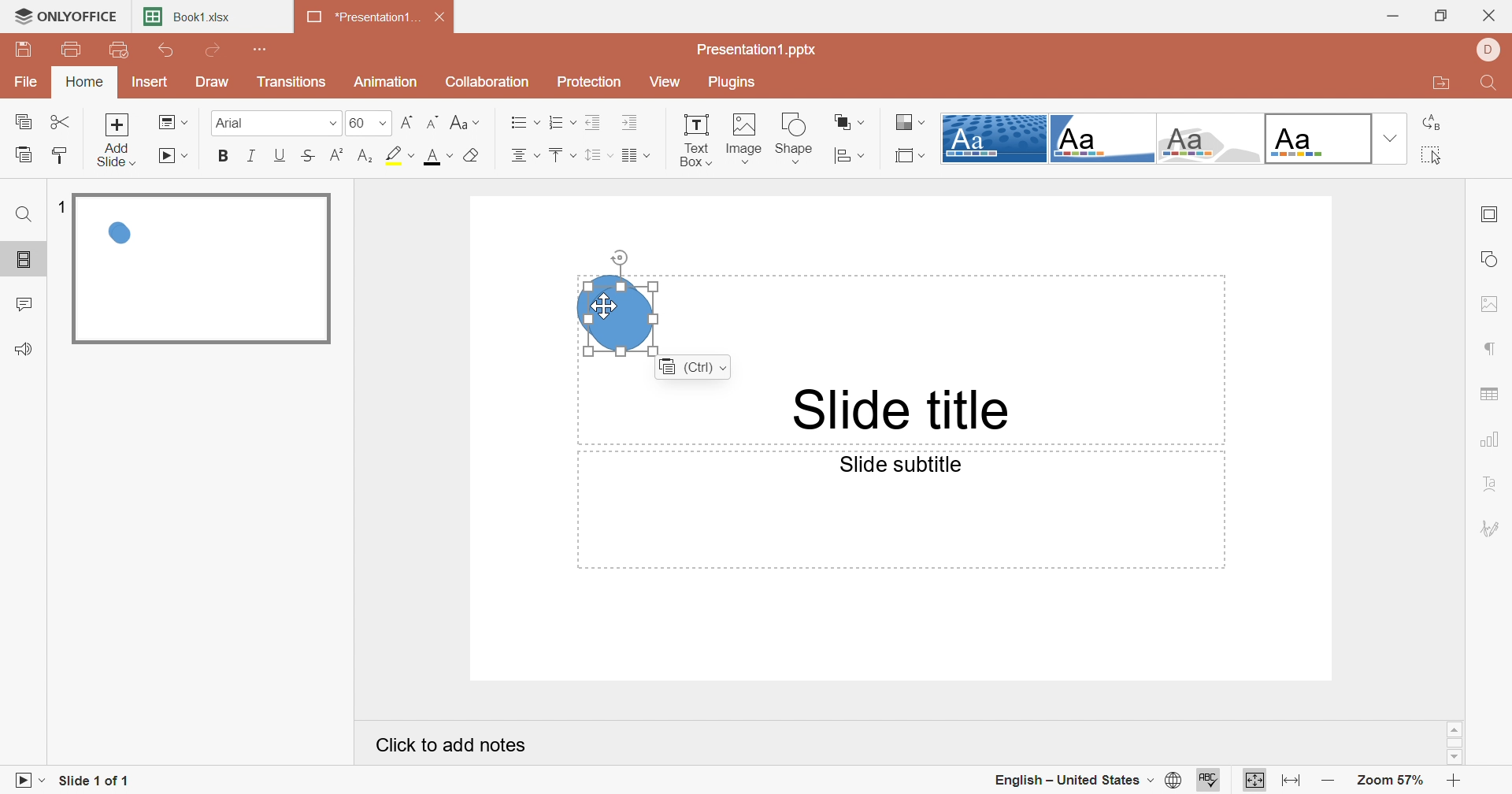  Describe the element at coordinates (912, 155) in the screenshot. I see `Select slide size` at that location.